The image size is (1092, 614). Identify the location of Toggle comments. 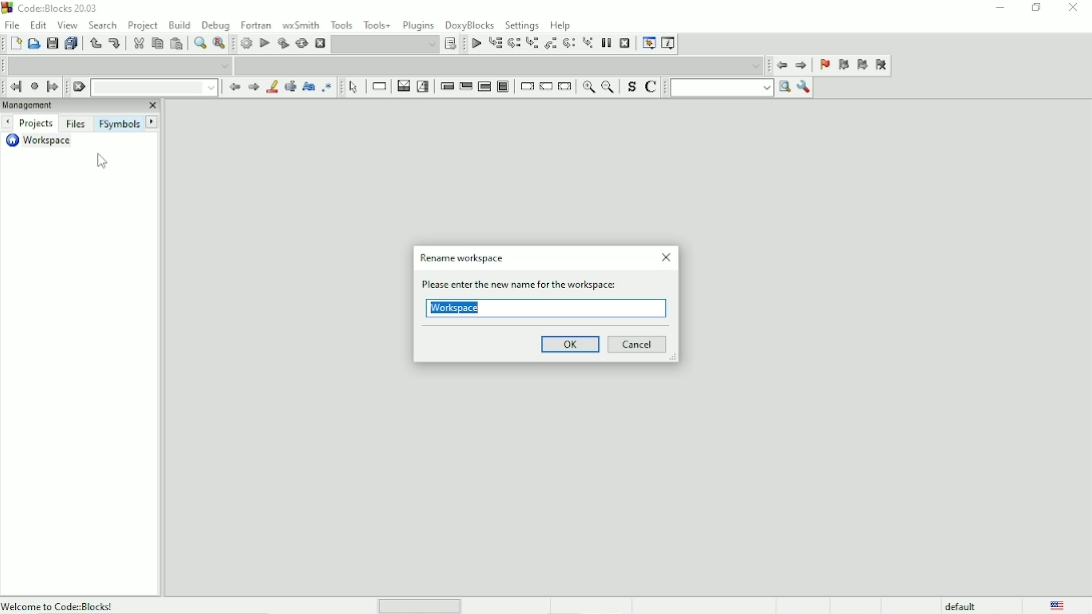
(653, 87).